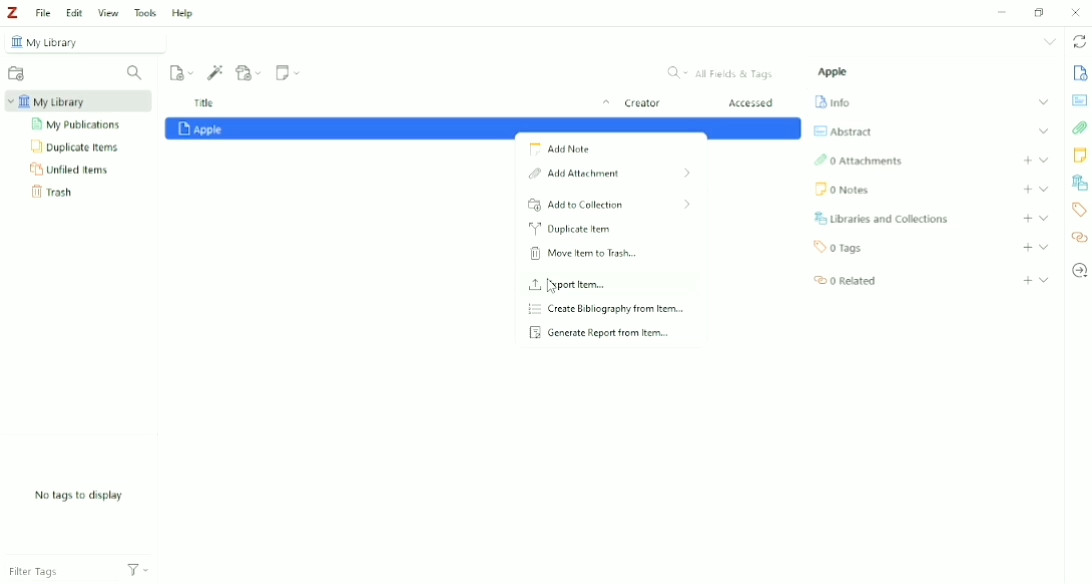 The height and width of the screenshot is (584, 1092). What do you see at coordinates (607, 175) in the screenshot?
I see `Add Attachment` at bounding box center [607, 175].